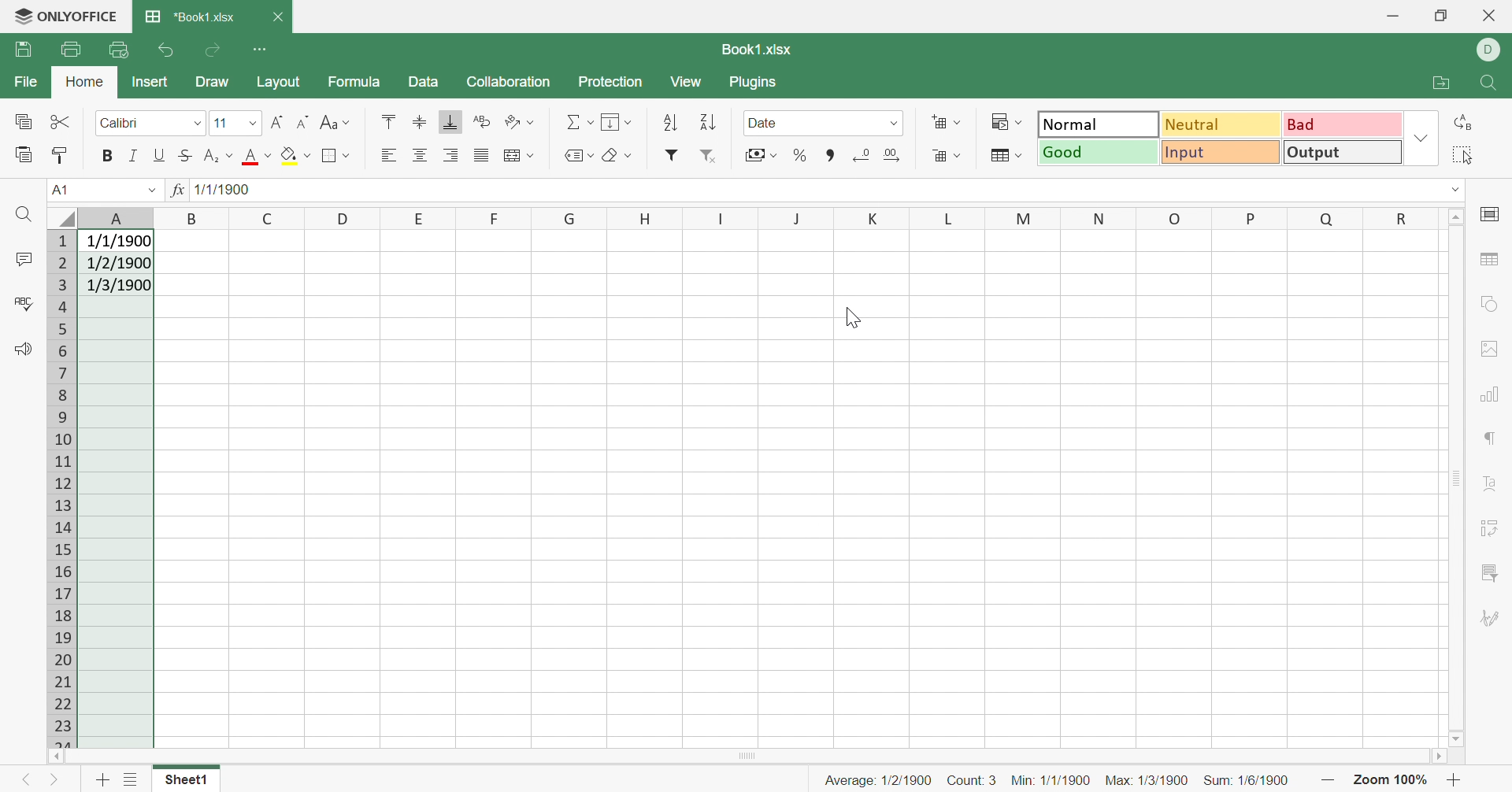  Describe the element at coordinates (1489, 483) in the screenshot. I see `Text art settings` at that location.